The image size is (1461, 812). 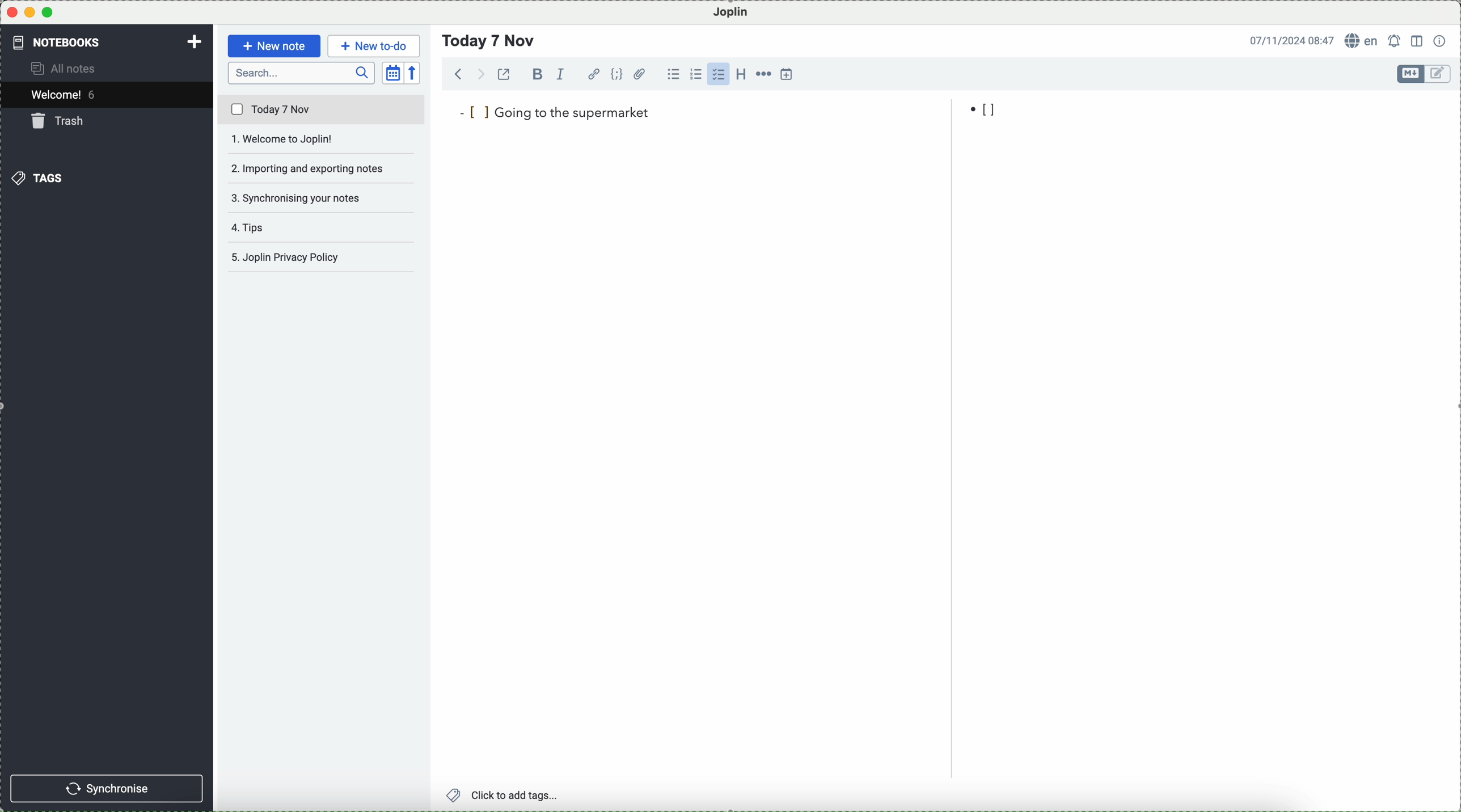 What do you see at coordinates (374, 46) in the screenshot?
I see `new to-do button` at bounding box center [374, 46].